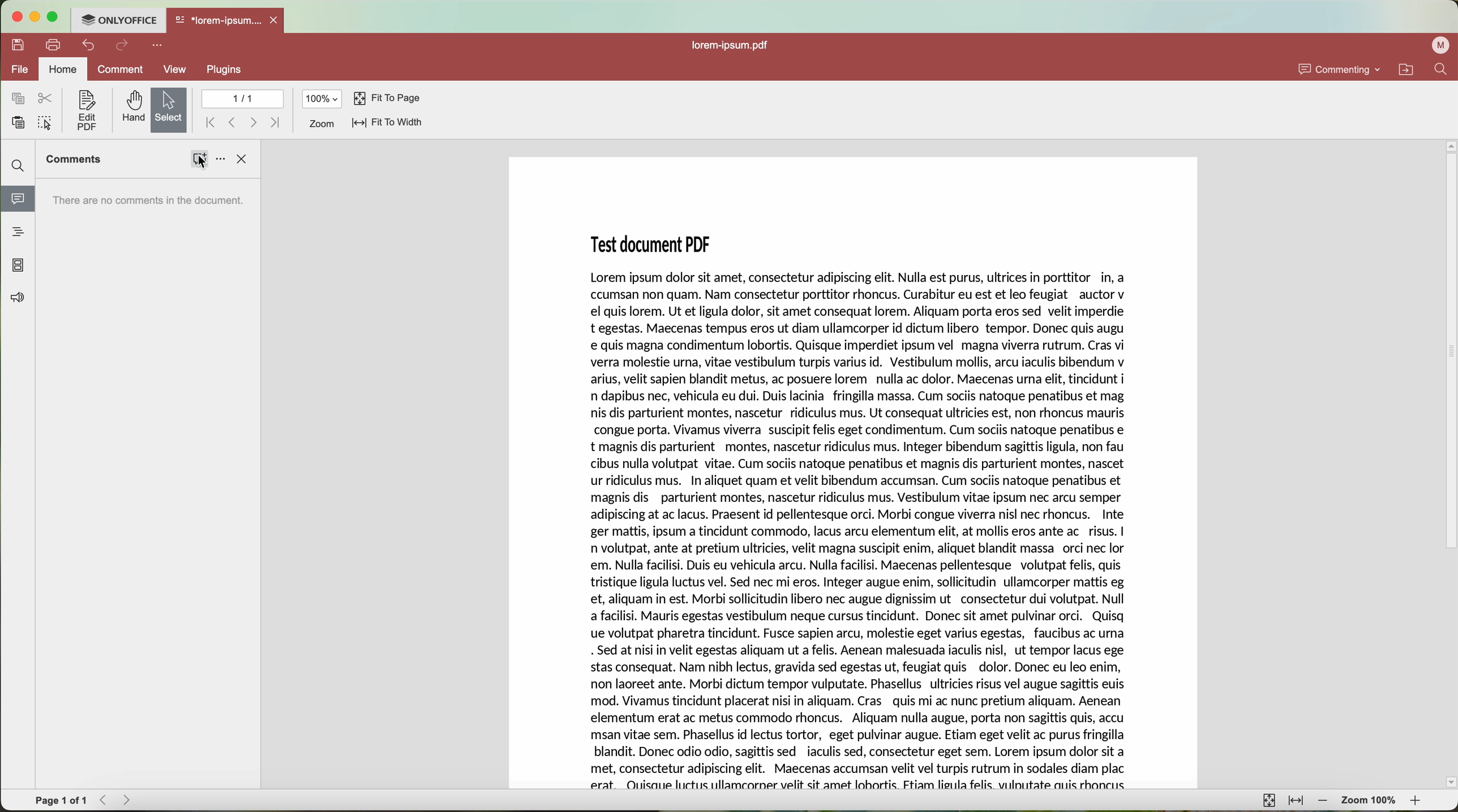 The height and width of the screenshot is (812, 1458). What do you see at coordinates (1439, 46) in the screenshot?
I see `profile` at bounding box center [1439, 46].